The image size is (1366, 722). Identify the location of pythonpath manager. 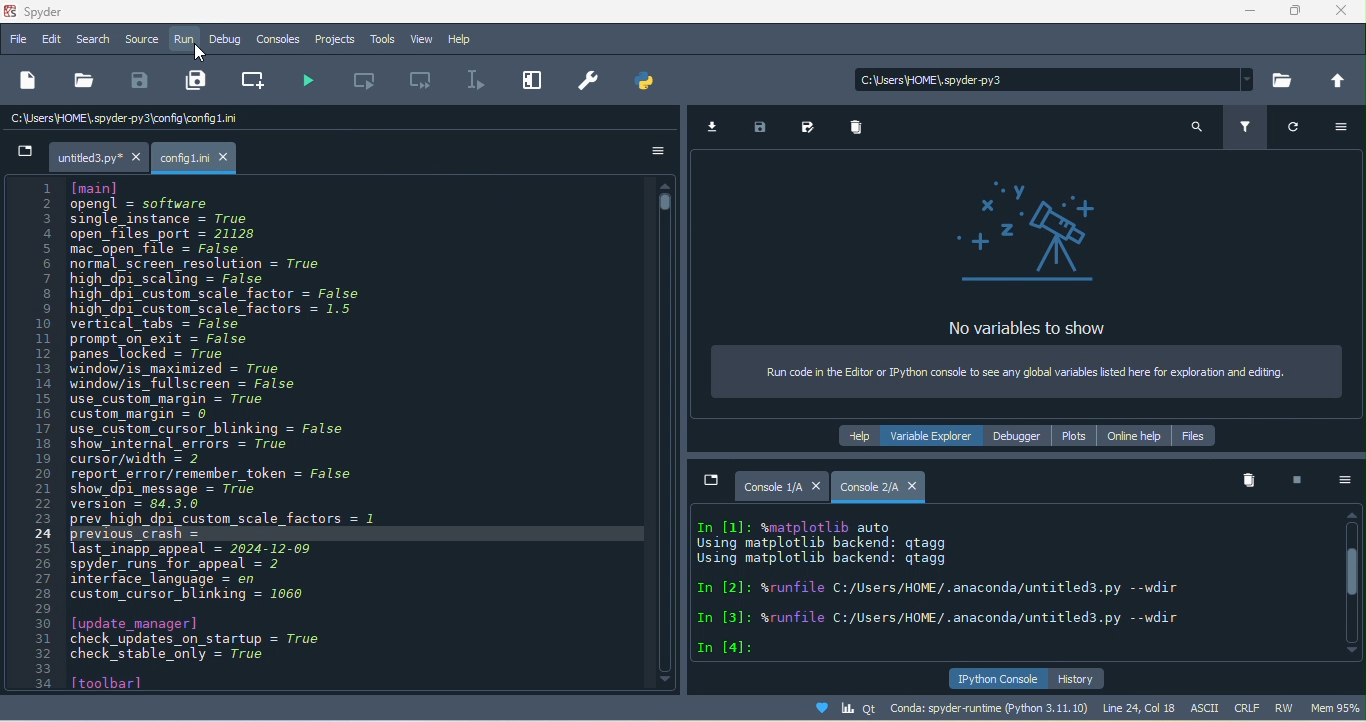
(650, 85).